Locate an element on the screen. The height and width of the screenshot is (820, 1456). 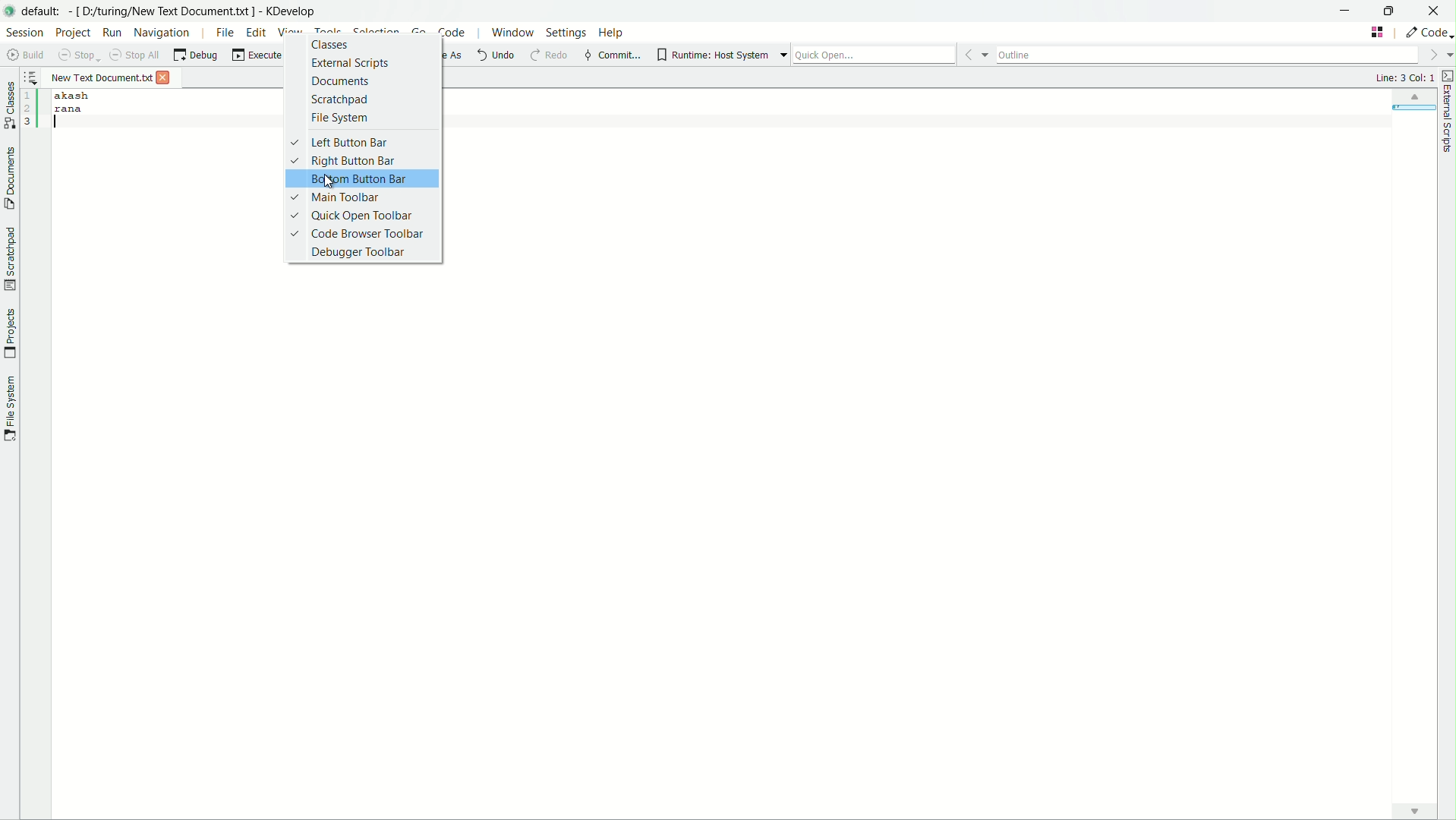
classes is located at coordinates (330, 45).